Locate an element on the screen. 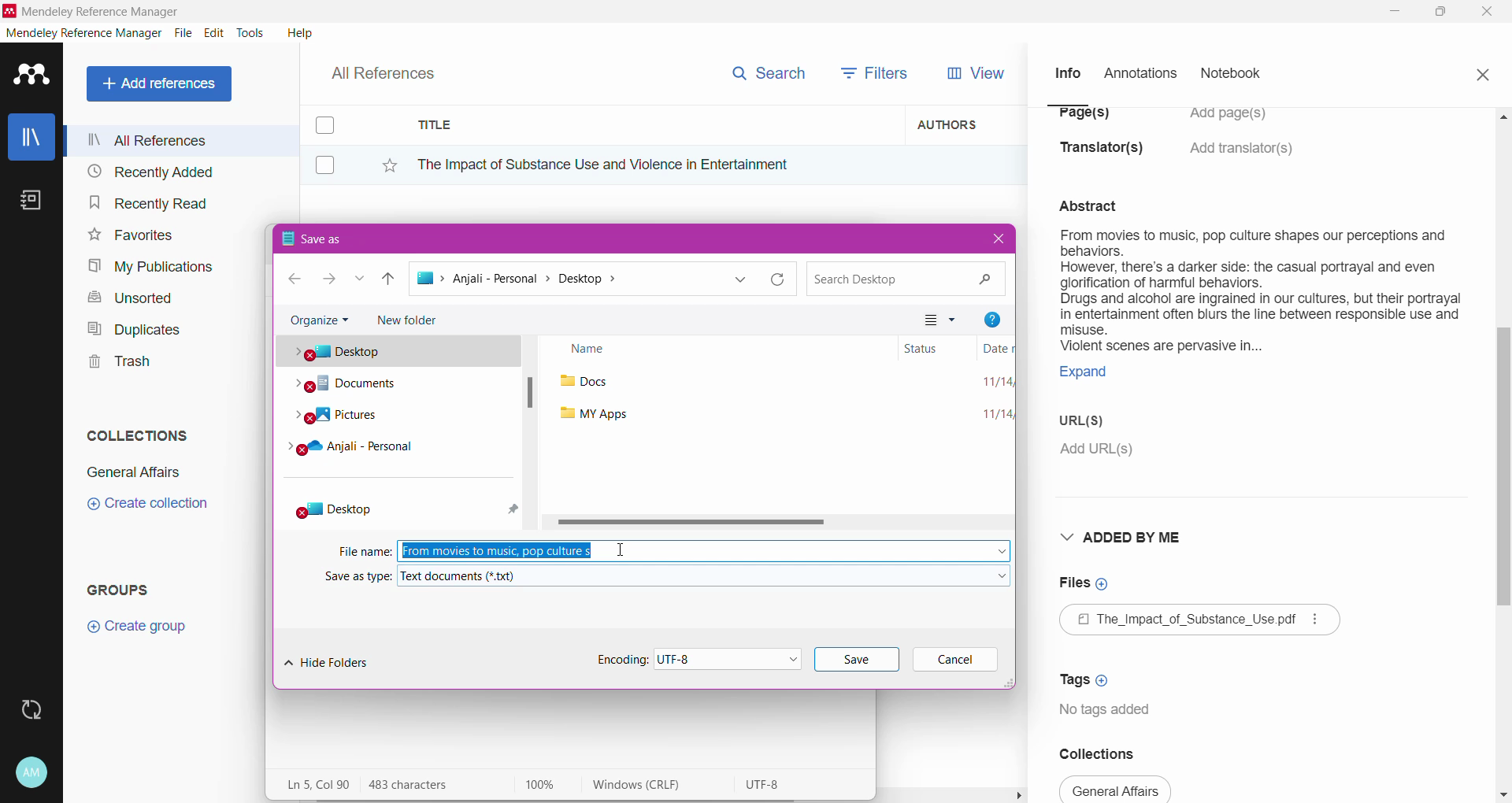 The image size is (1512, 803). Windows (Carriage Return, Line Feed) is located at coordinates (647, 785).